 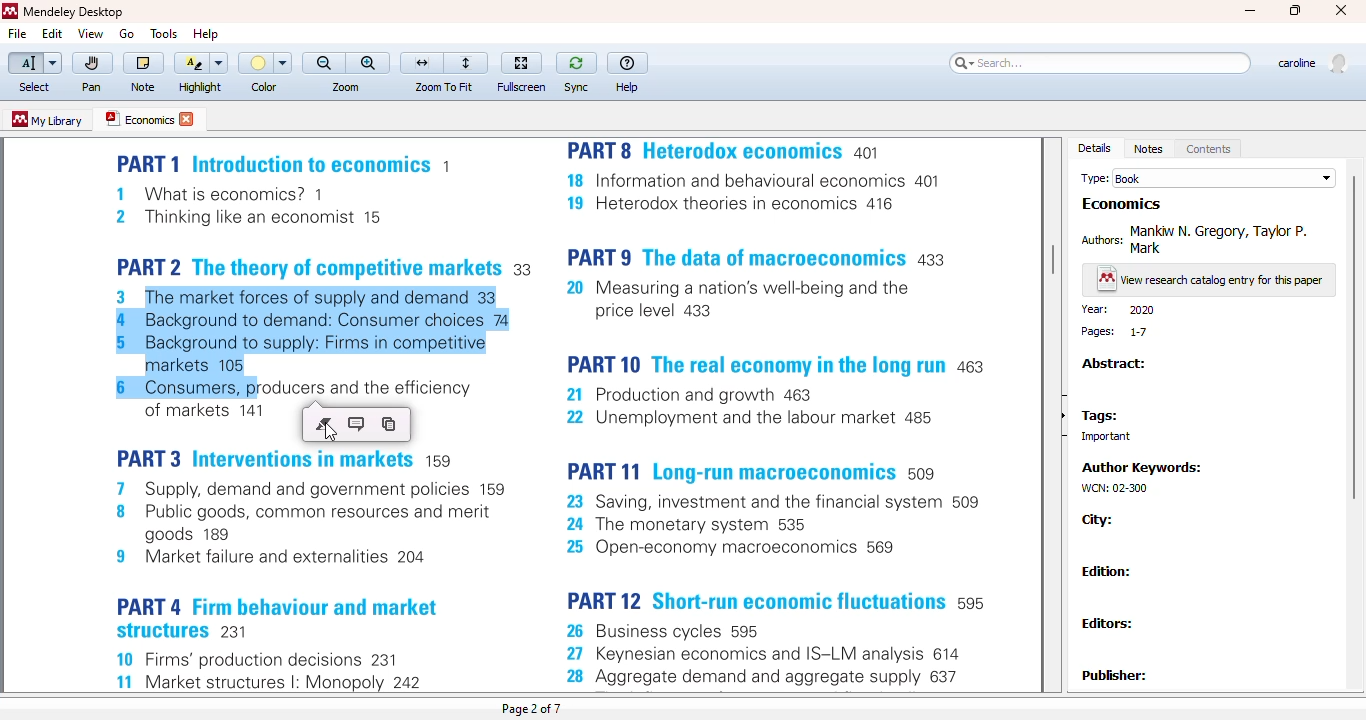 I want to click on tools, so click(x=165, y=34).